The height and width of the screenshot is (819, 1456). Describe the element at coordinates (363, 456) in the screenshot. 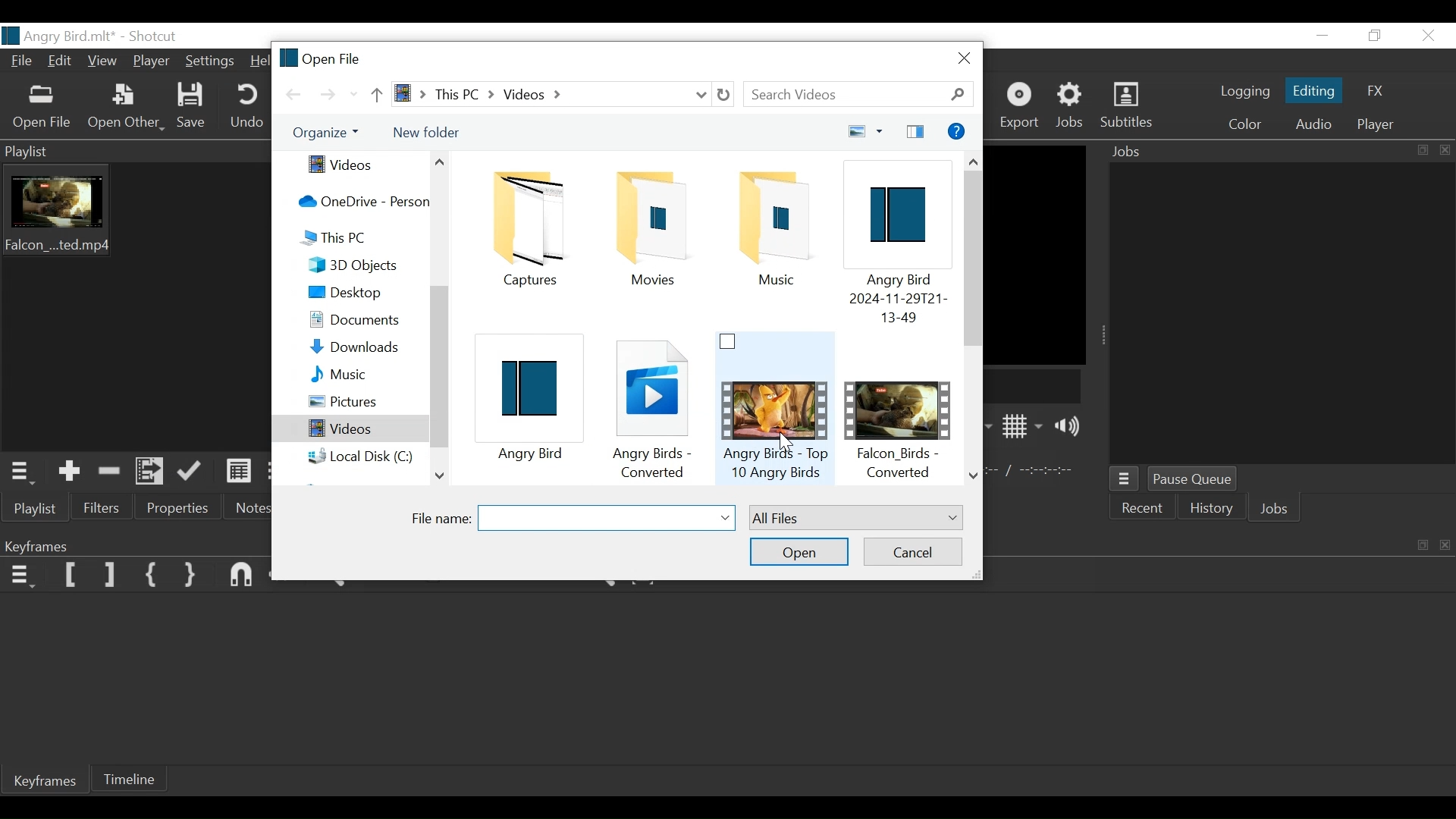

I see `Local Disk (C:)` at that location.